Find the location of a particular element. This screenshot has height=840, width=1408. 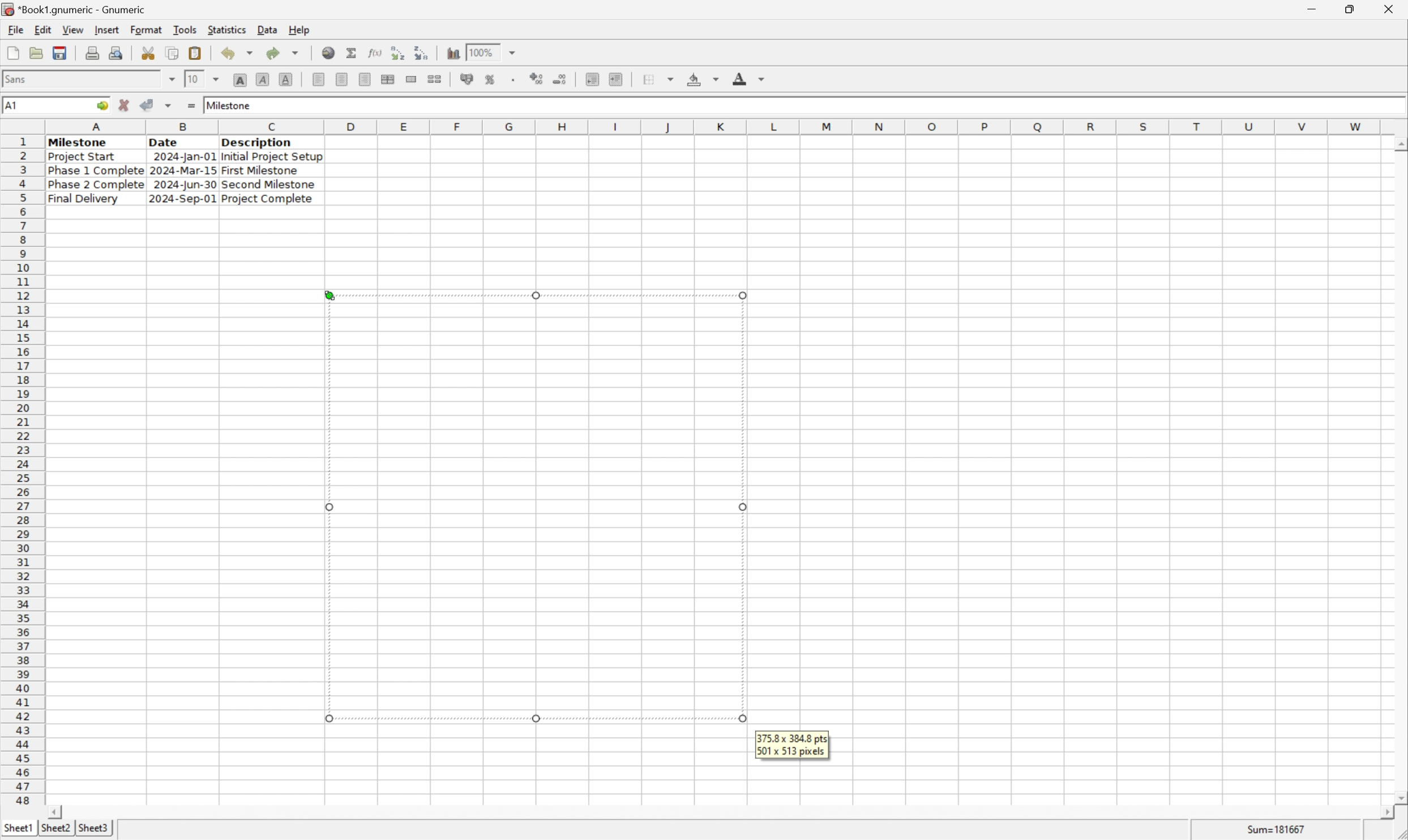

highlight color is located at coordinates (700, 77).